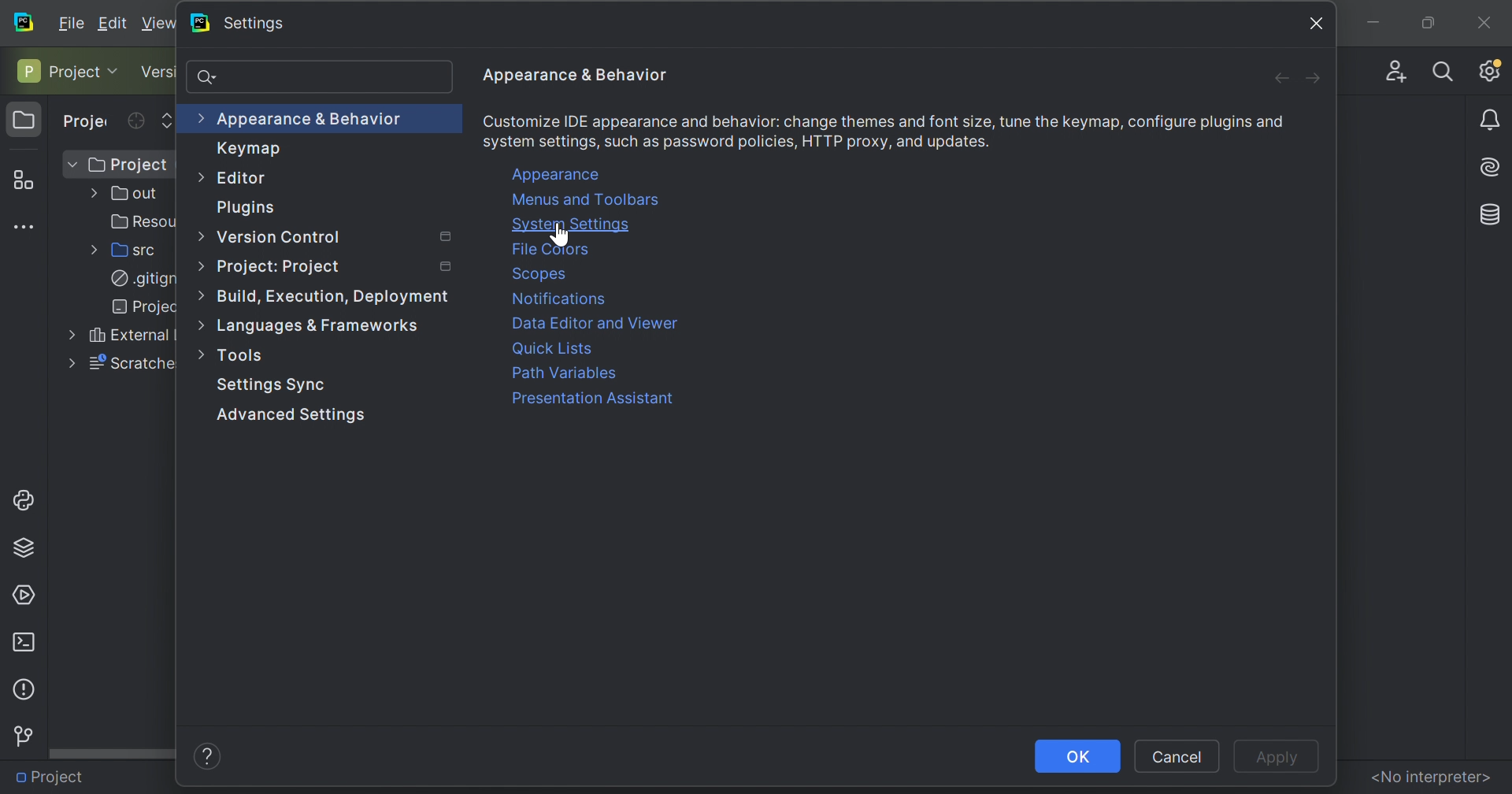 The height and width of the screenshot is (794, 1512). Describe the element at coordinates (29, 546) in the screenshot. I see `Python packages` at that location.